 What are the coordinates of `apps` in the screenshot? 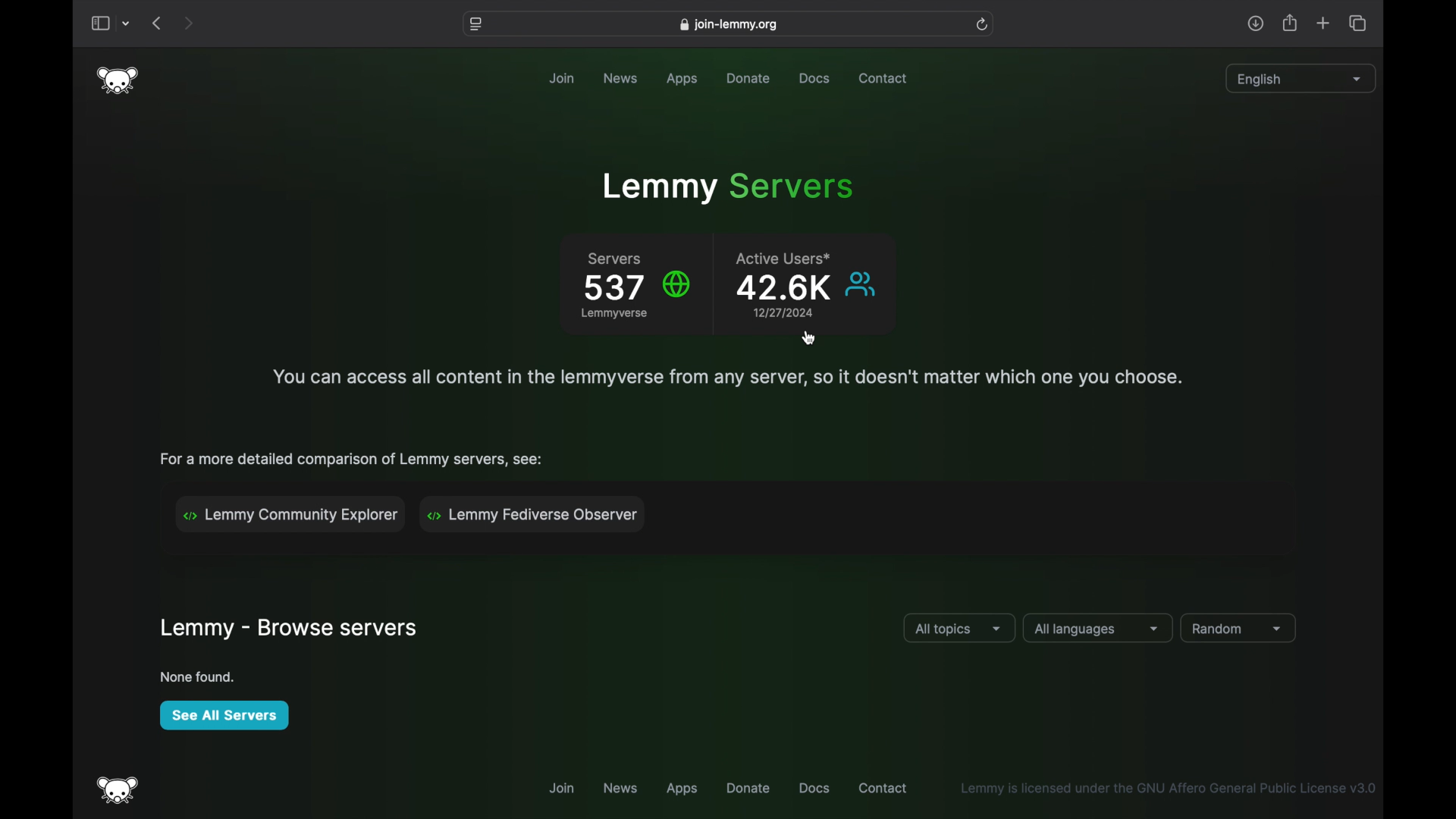 It's located at (687, 80).